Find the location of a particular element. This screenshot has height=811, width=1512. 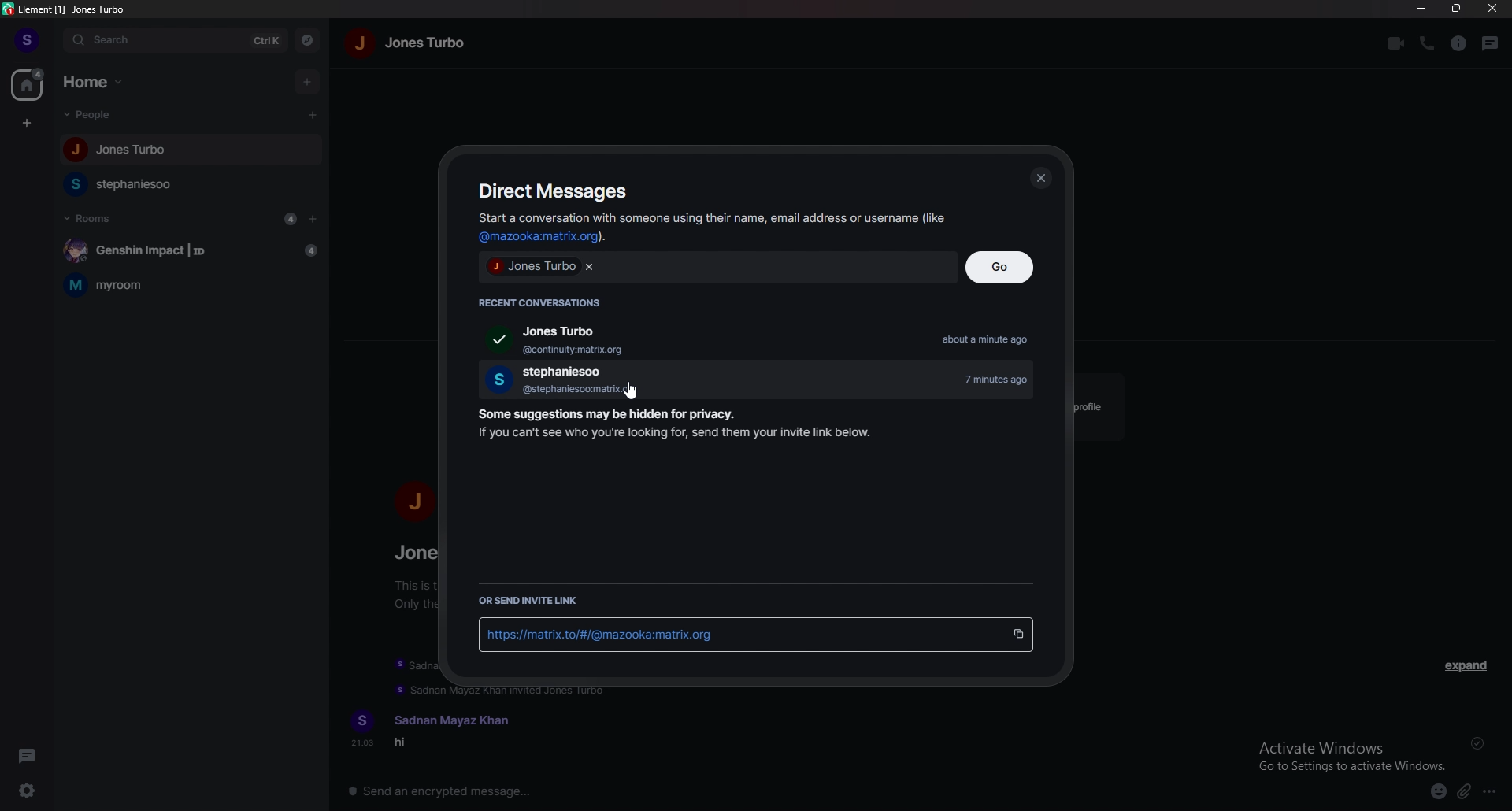

Start a conversation with someone using their name, email address or username (like @mazooka:matrix.org). is located at coordinates (709, 228).